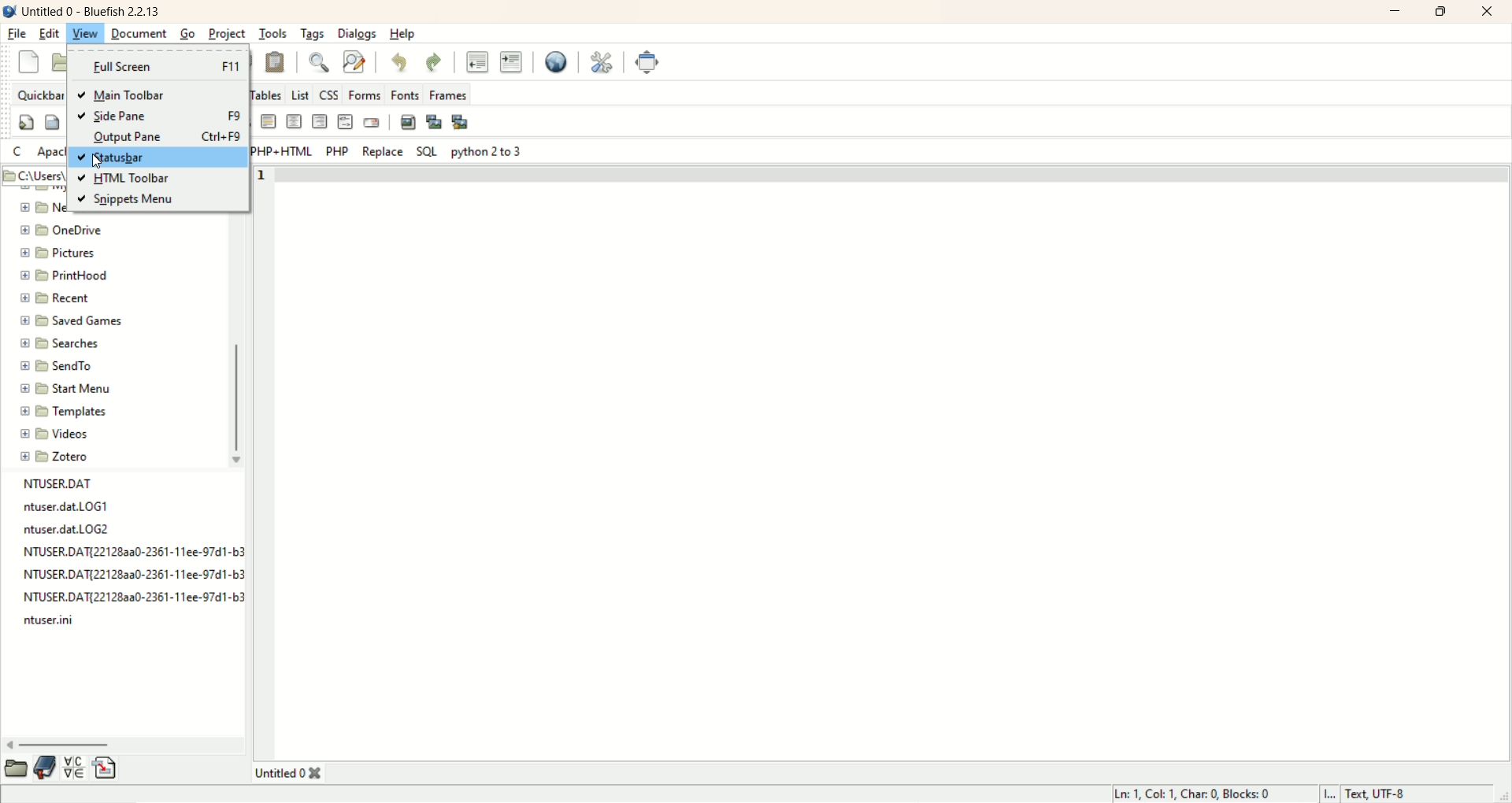  Describe the element at coordinates (344, 122) in the screenshot. I see `HTML comment` at that location.